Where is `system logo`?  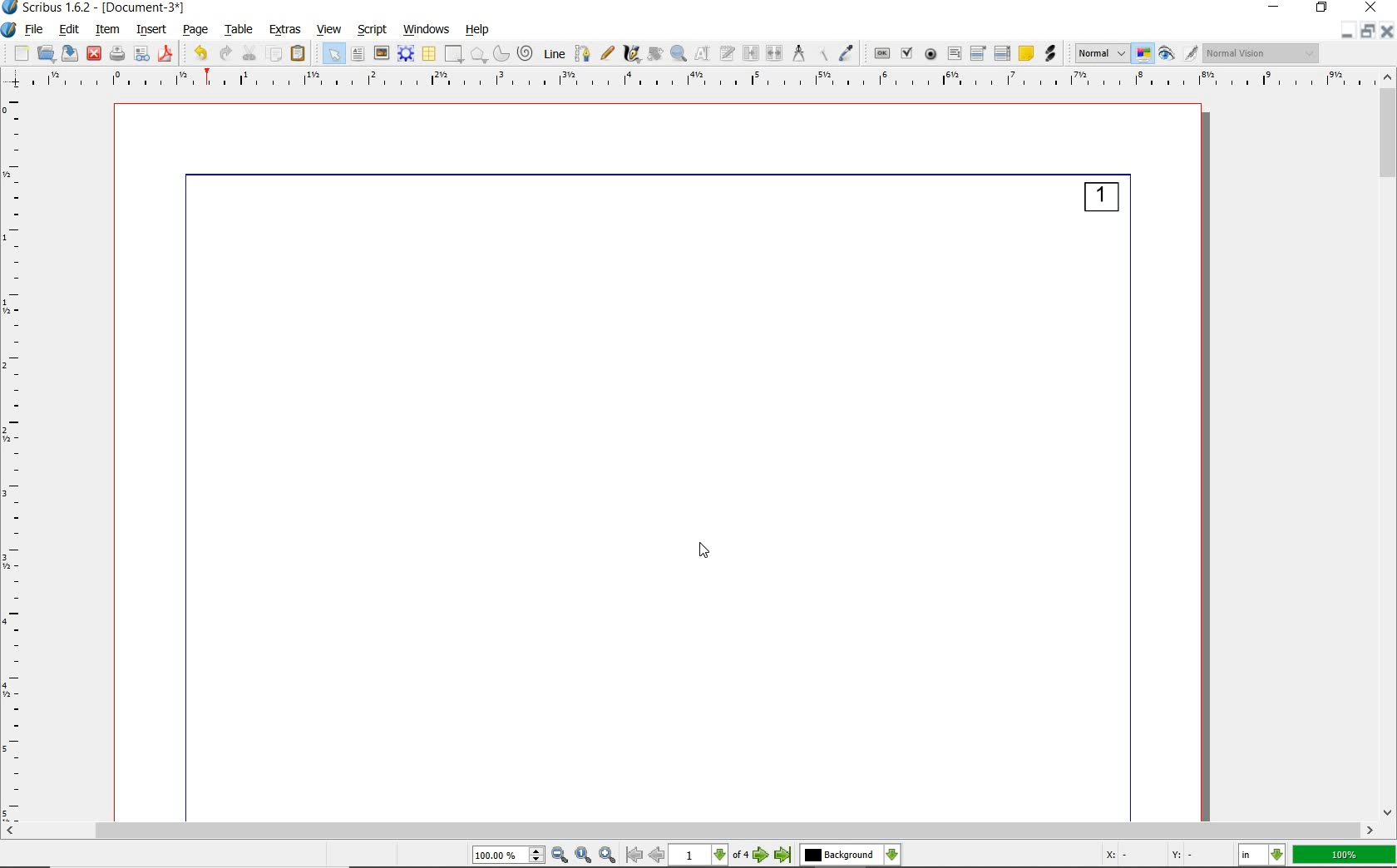 system logo is located at coordinates (9, 31).